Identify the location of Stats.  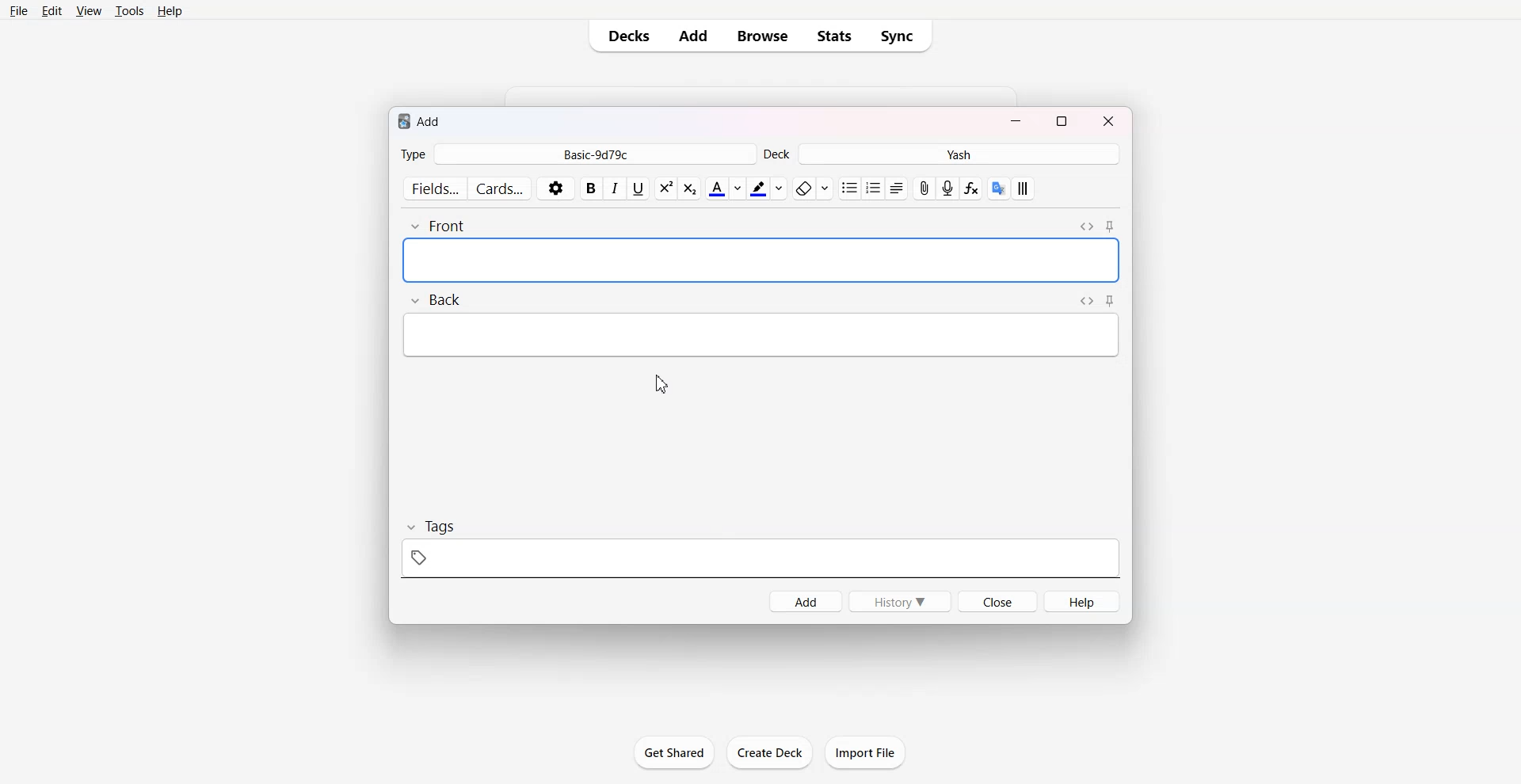
(835, 36).